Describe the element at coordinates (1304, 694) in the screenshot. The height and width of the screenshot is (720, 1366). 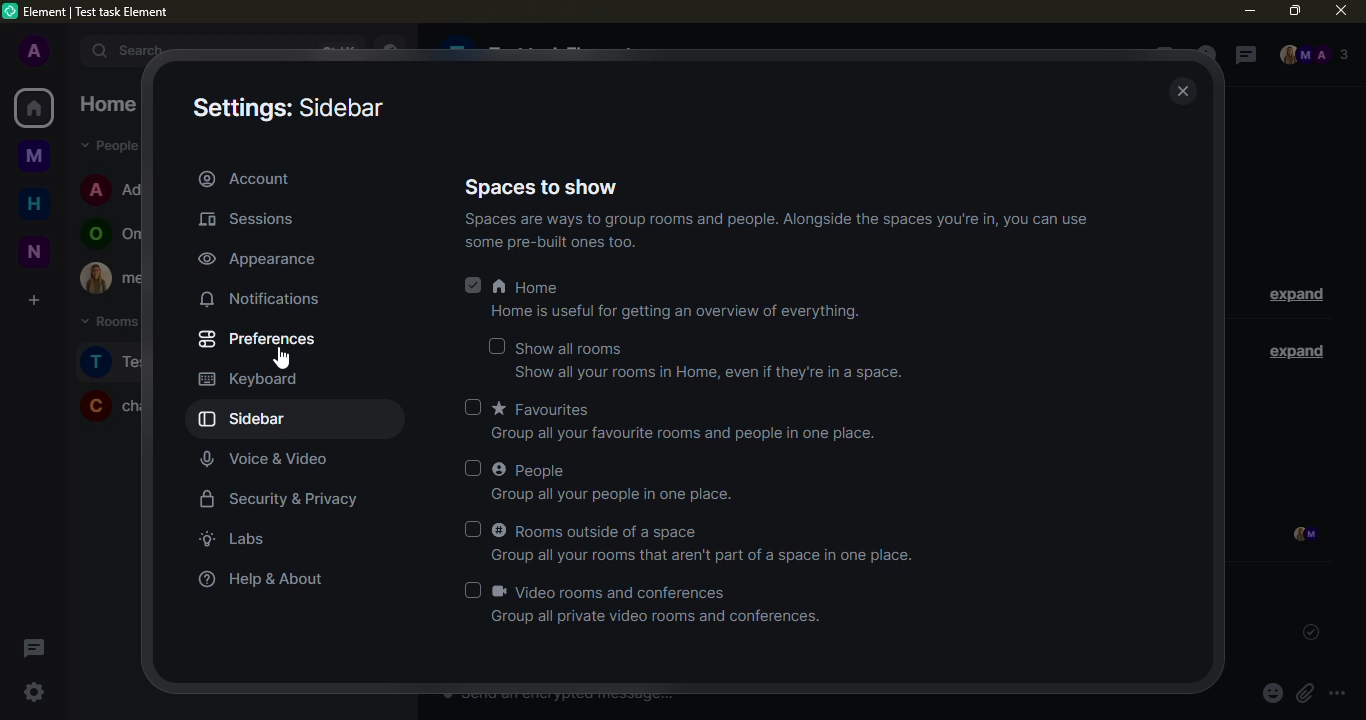
I see `attach` at that location.